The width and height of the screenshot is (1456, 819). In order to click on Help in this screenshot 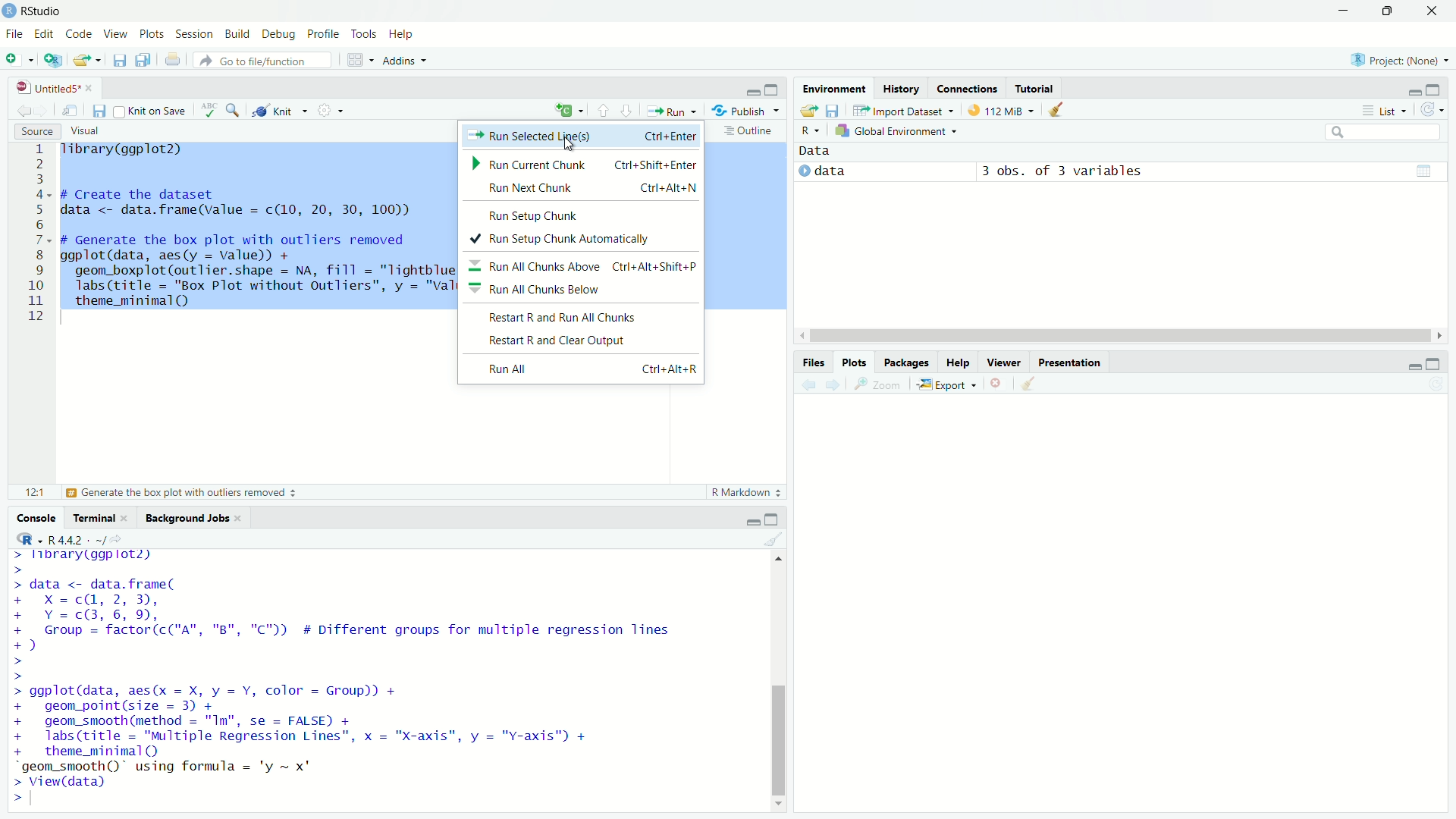, I will do `click(955, 362)`.